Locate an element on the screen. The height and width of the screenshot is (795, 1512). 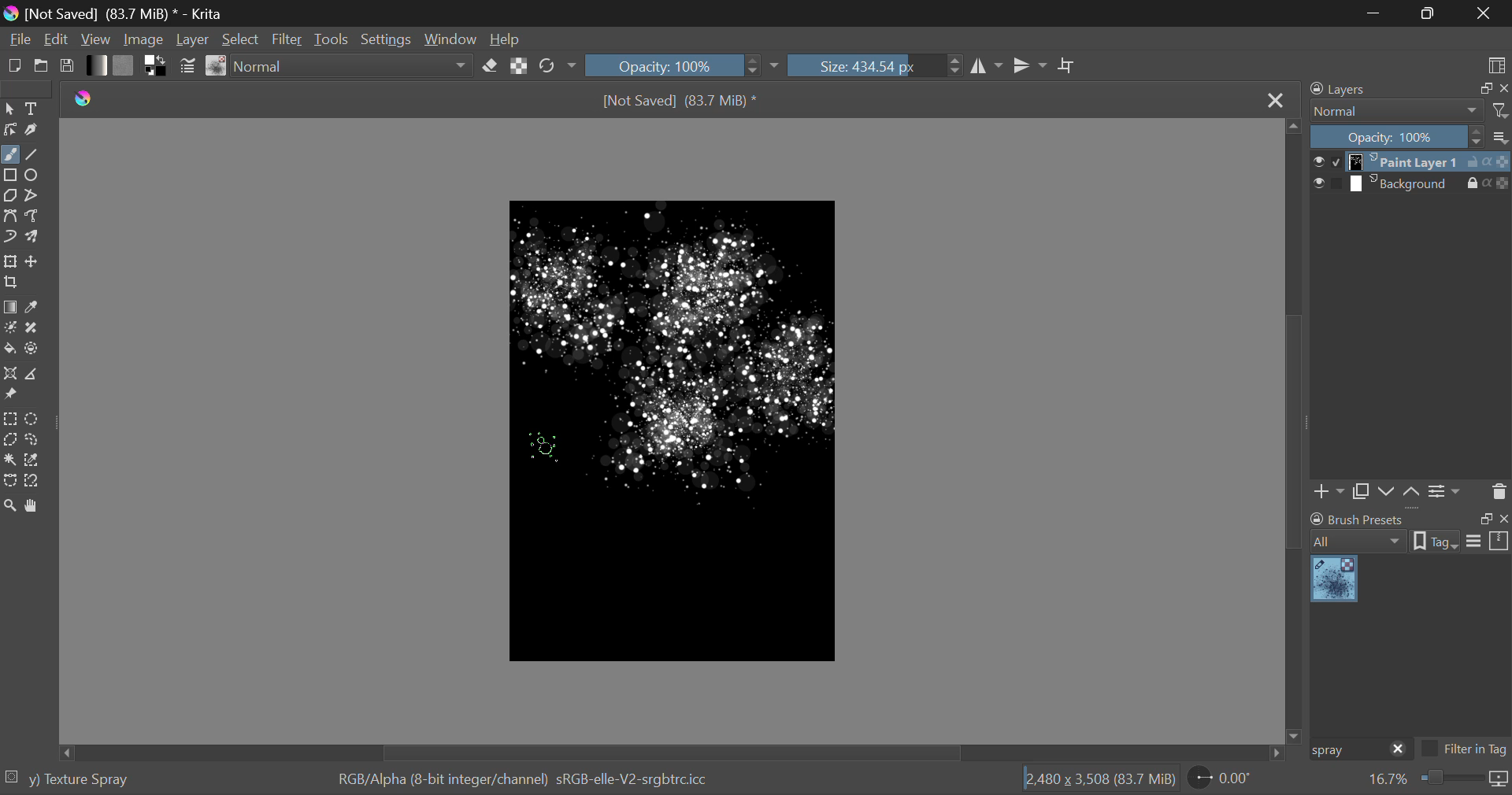
close is located at coordinates (1503, 89).